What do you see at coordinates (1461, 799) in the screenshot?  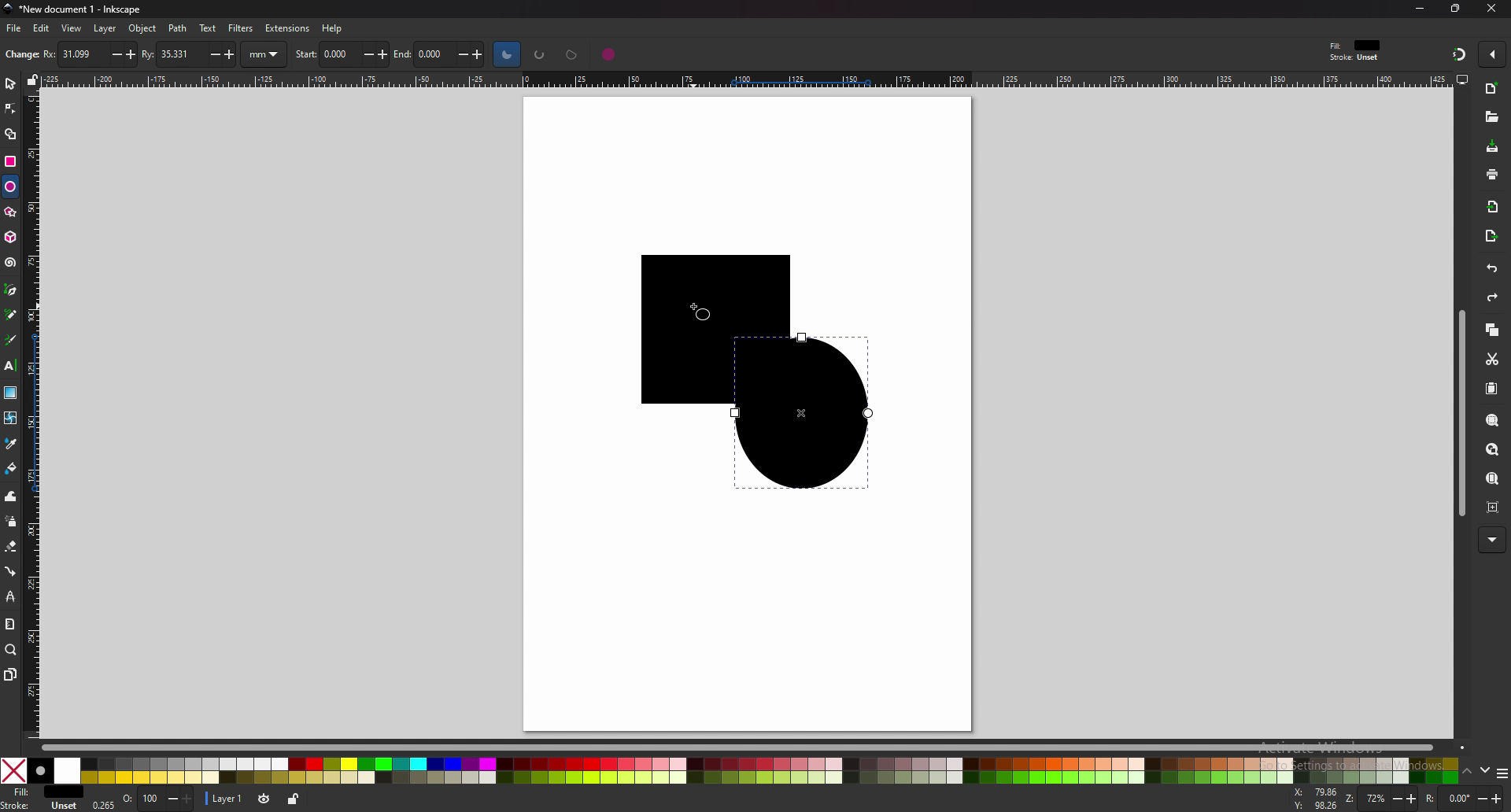 I see `rotate` at bounding box center [1461, 799].